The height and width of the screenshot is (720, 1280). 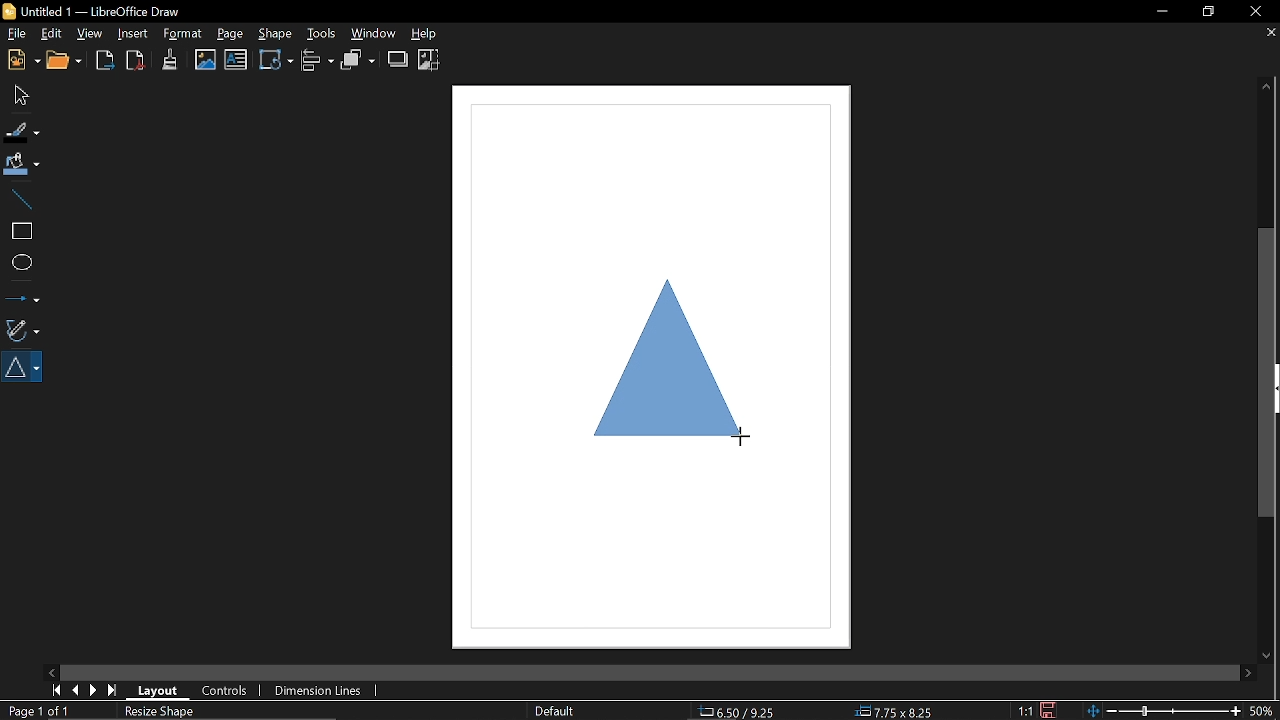 I want to click on Close, so click(x=1254, y=13).